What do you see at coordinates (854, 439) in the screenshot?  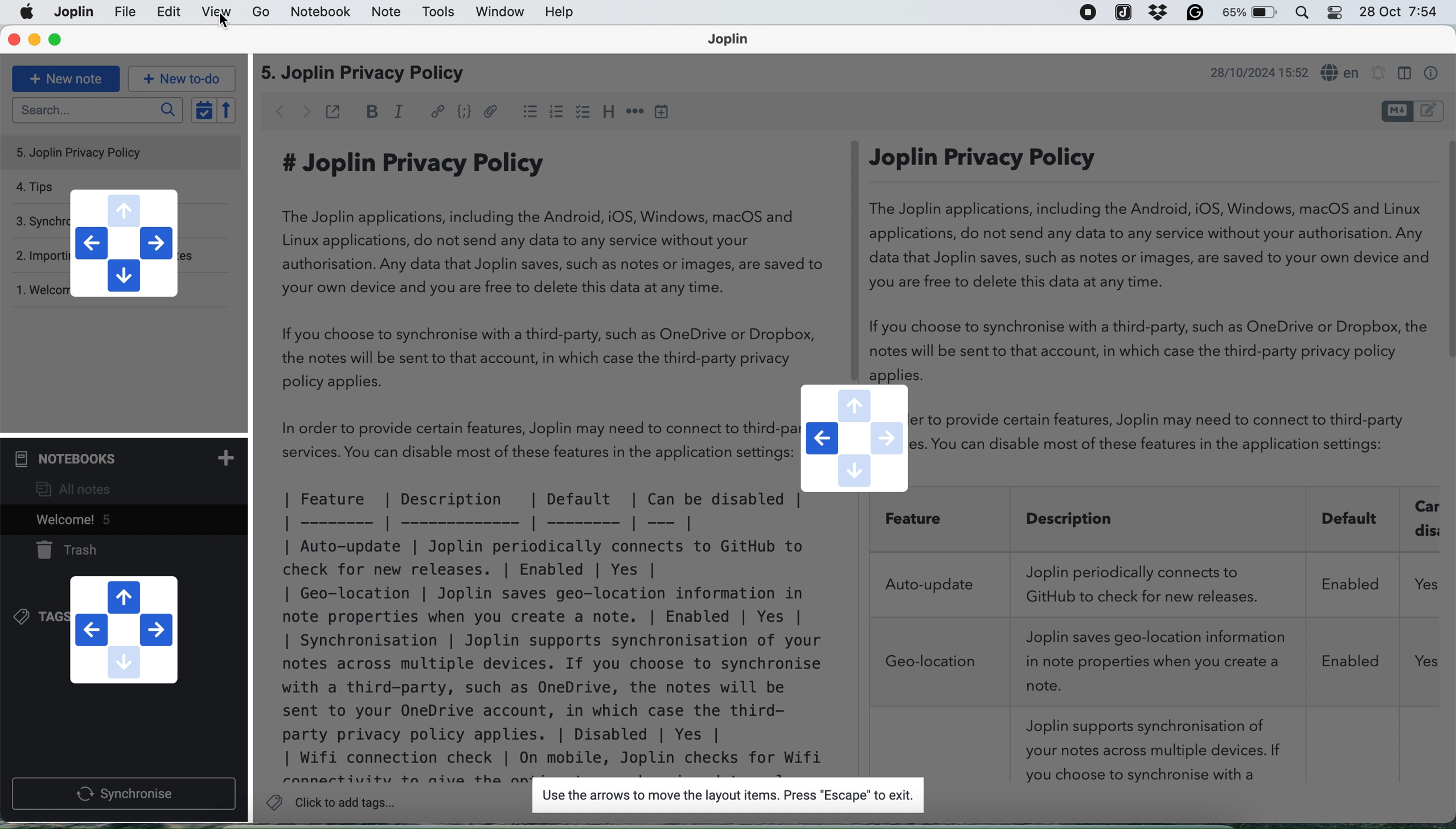 I see `navigation buttons` at bounding box center [854, 439].